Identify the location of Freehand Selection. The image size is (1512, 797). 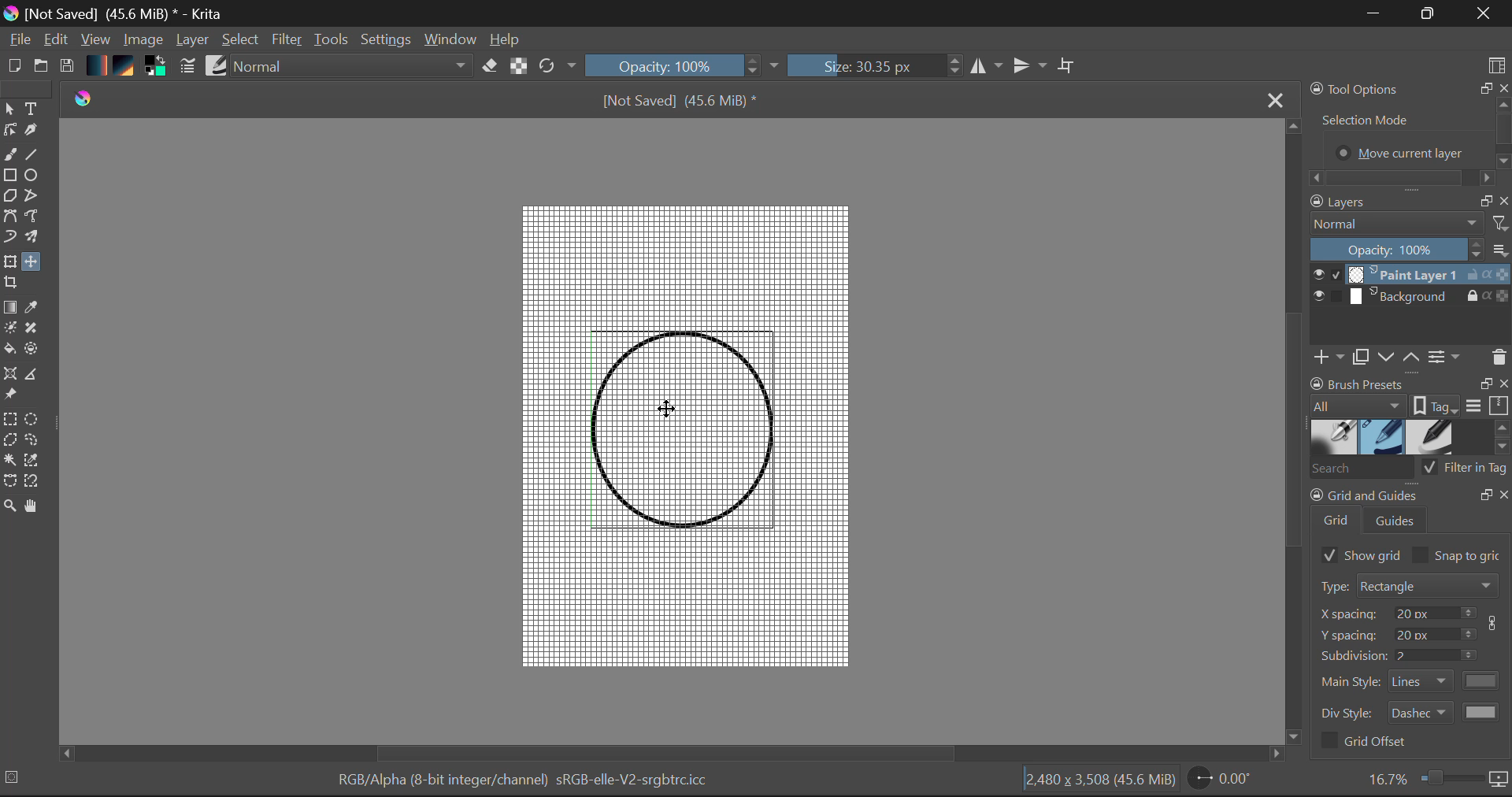
(34, 440).